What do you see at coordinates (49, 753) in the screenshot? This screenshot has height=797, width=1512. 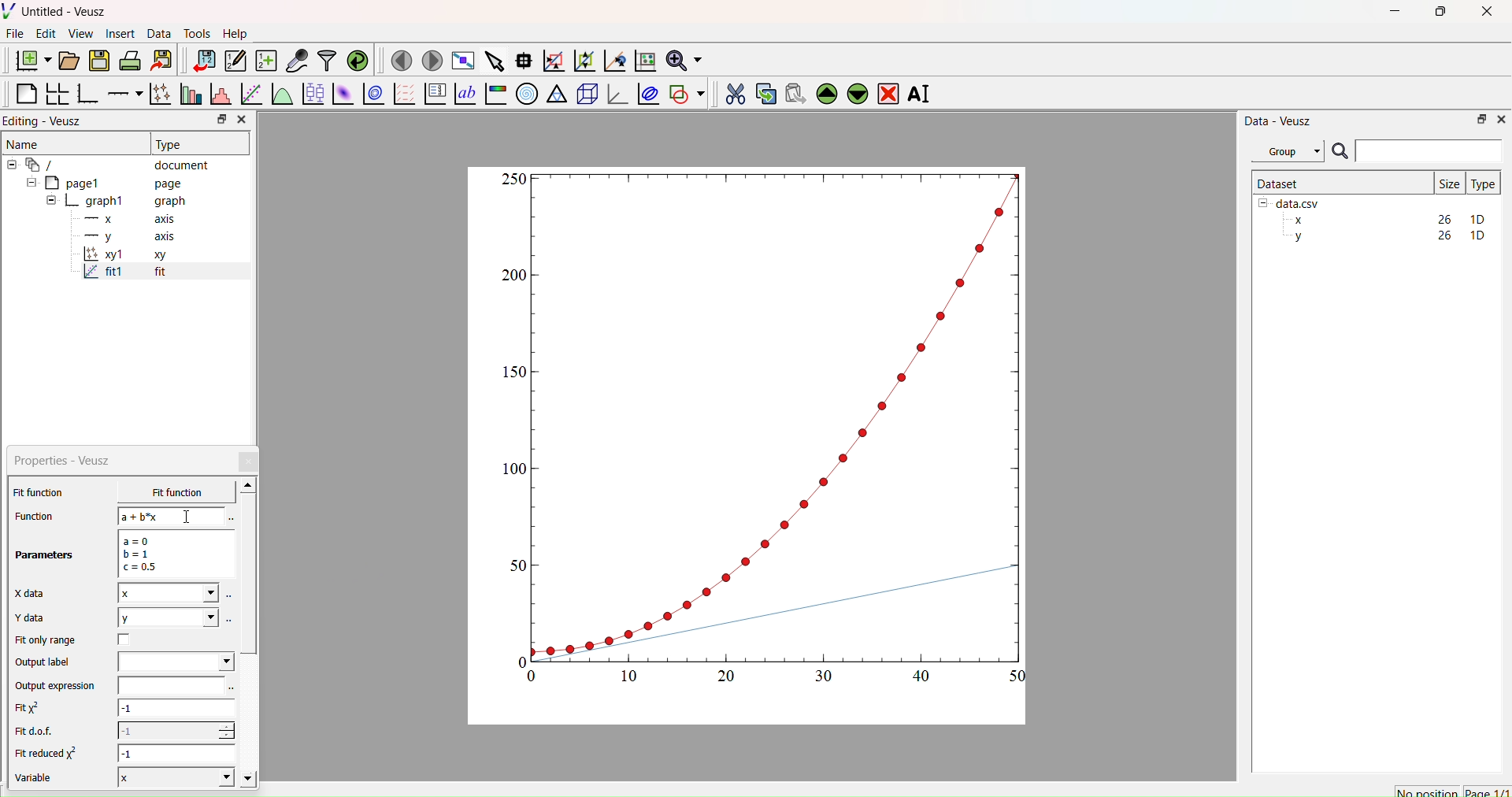 I see `Fit reduced x^2` at bounding box center [49, 753].